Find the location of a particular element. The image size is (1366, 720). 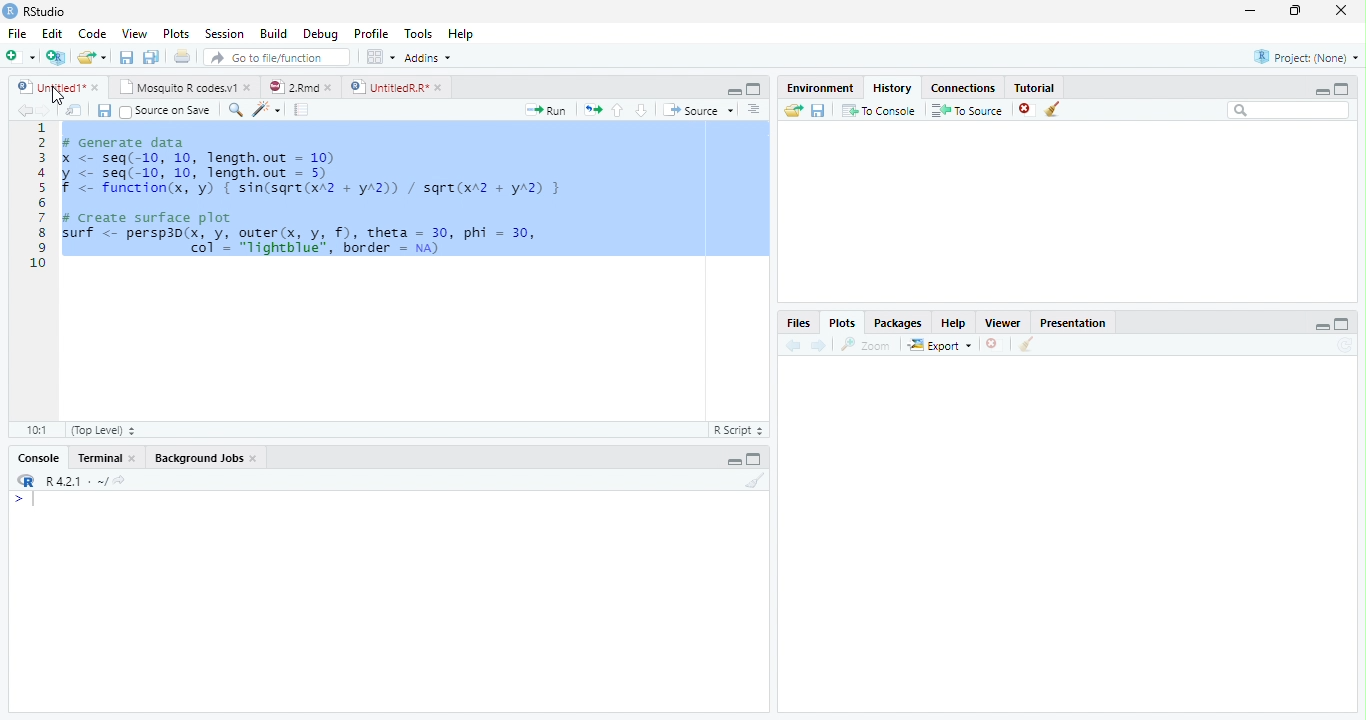

Code tools is located at coordinates (267, 109).